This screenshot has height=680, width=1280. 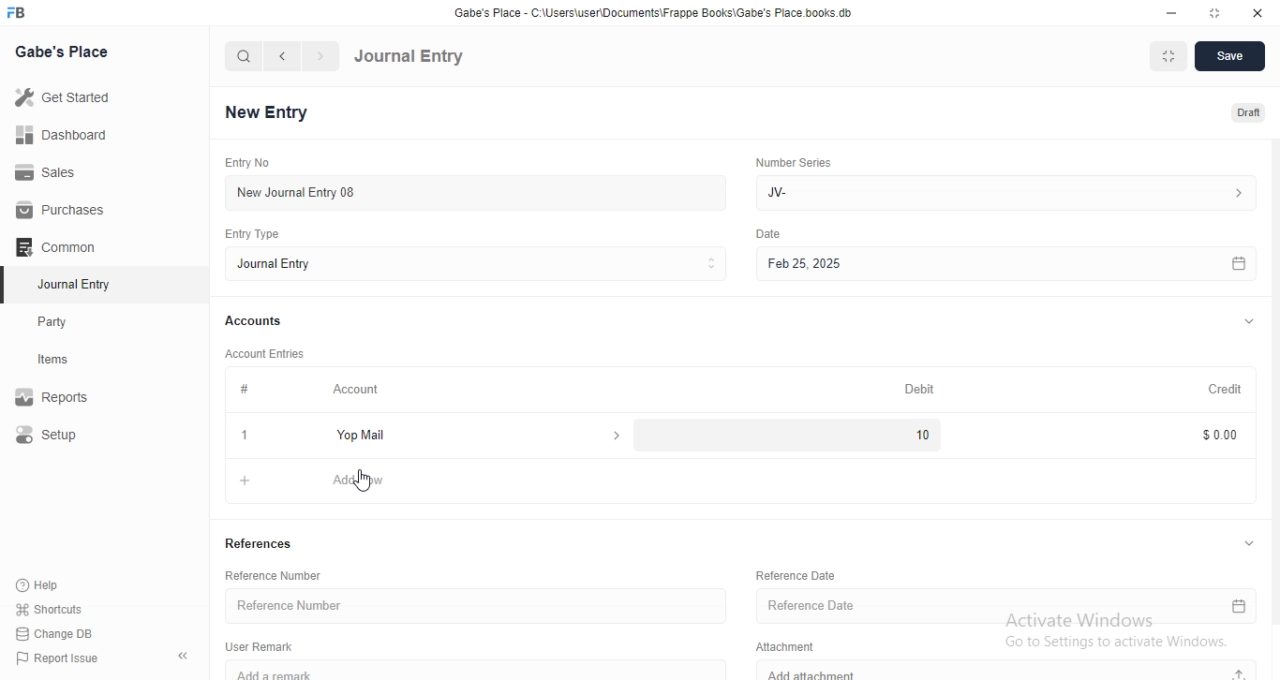 I want to click on $0.00, so click(x=1210, y=434).